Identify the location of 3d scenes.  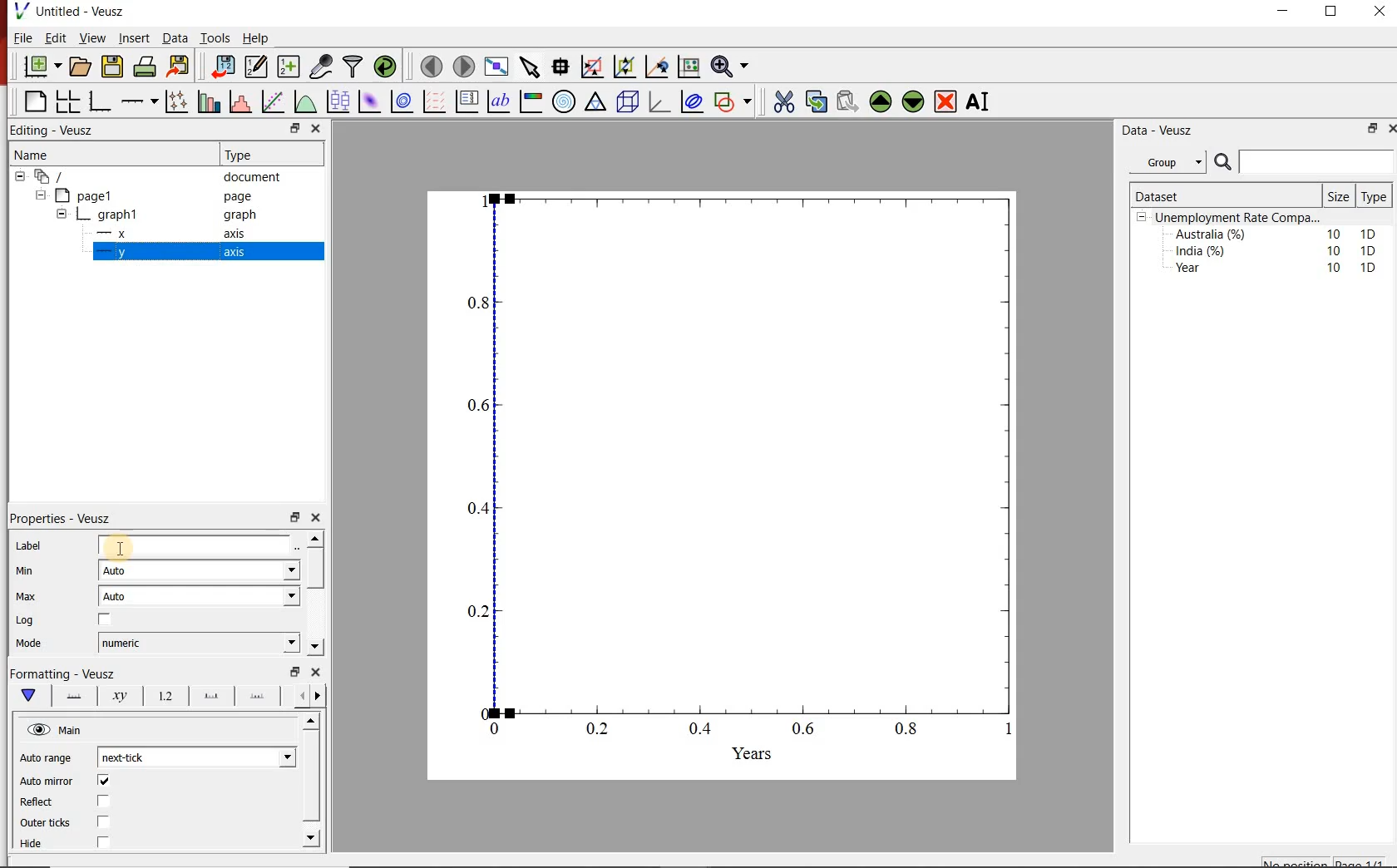
(625, 101).